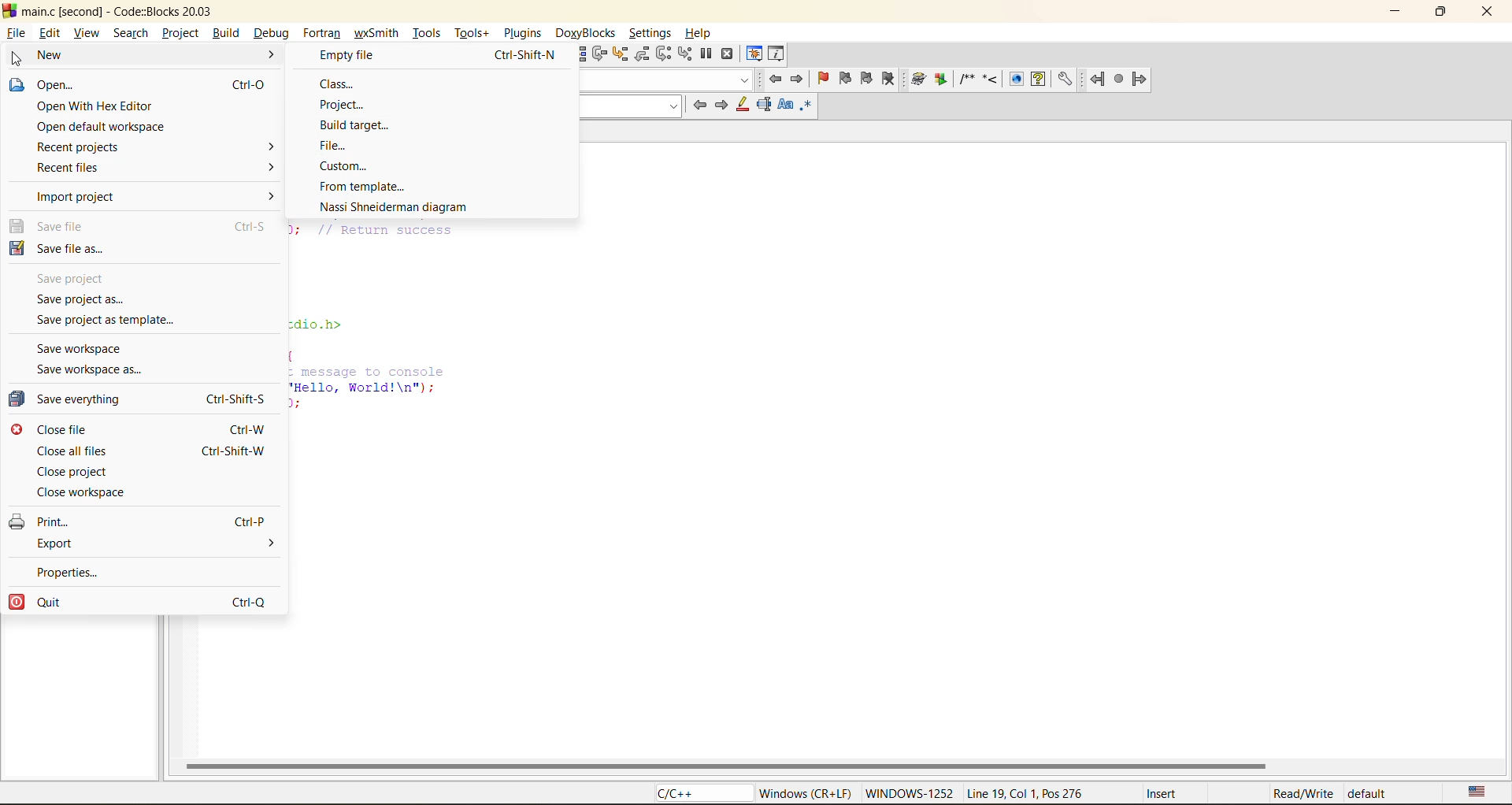  Describe the element at coordinates (234, 399) in the screenshot. I see `Ctrl-Shift-S.` at that location.